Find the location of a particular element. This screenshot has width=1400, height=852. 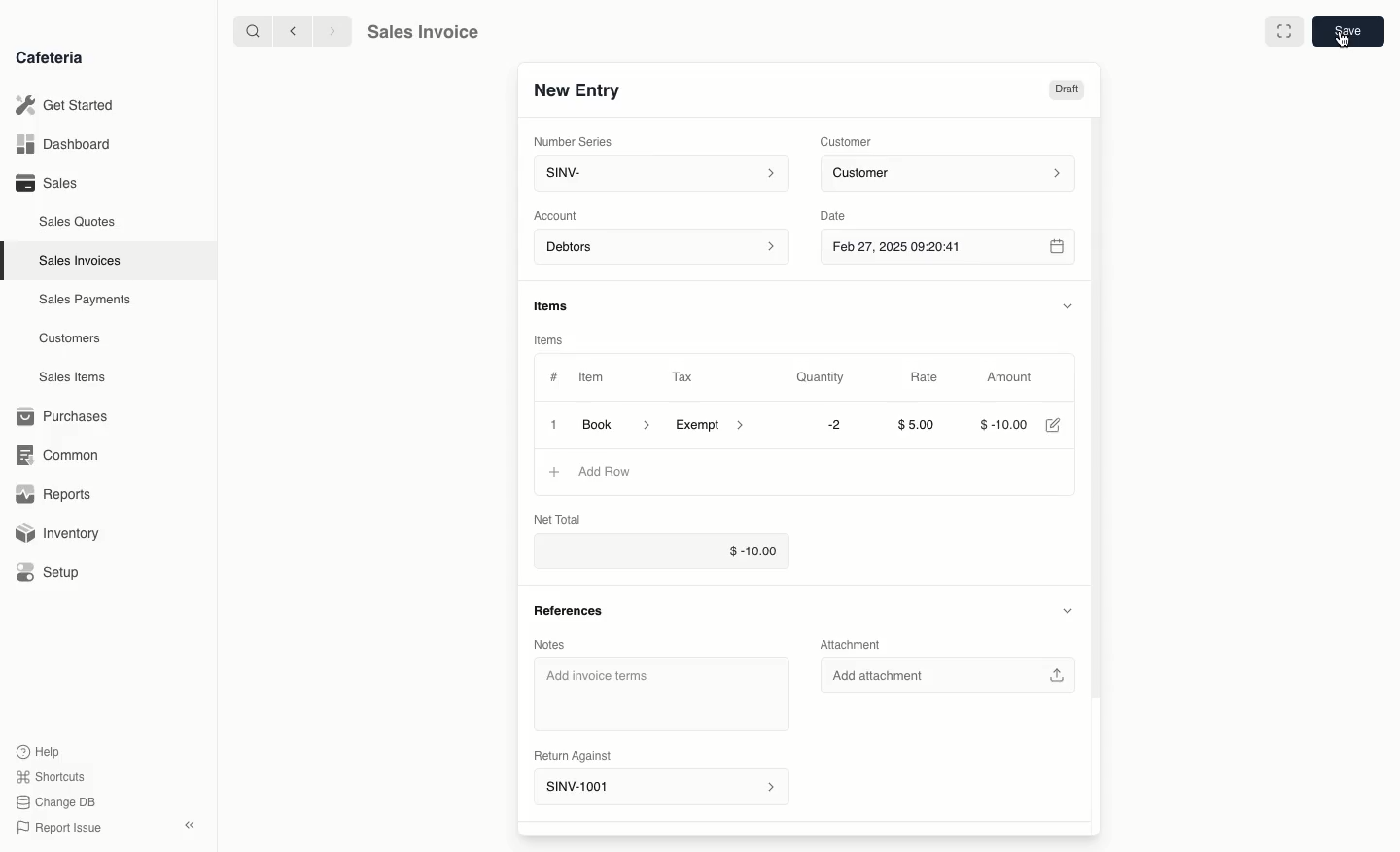

Sales Items is located at coordinates (72, 377).